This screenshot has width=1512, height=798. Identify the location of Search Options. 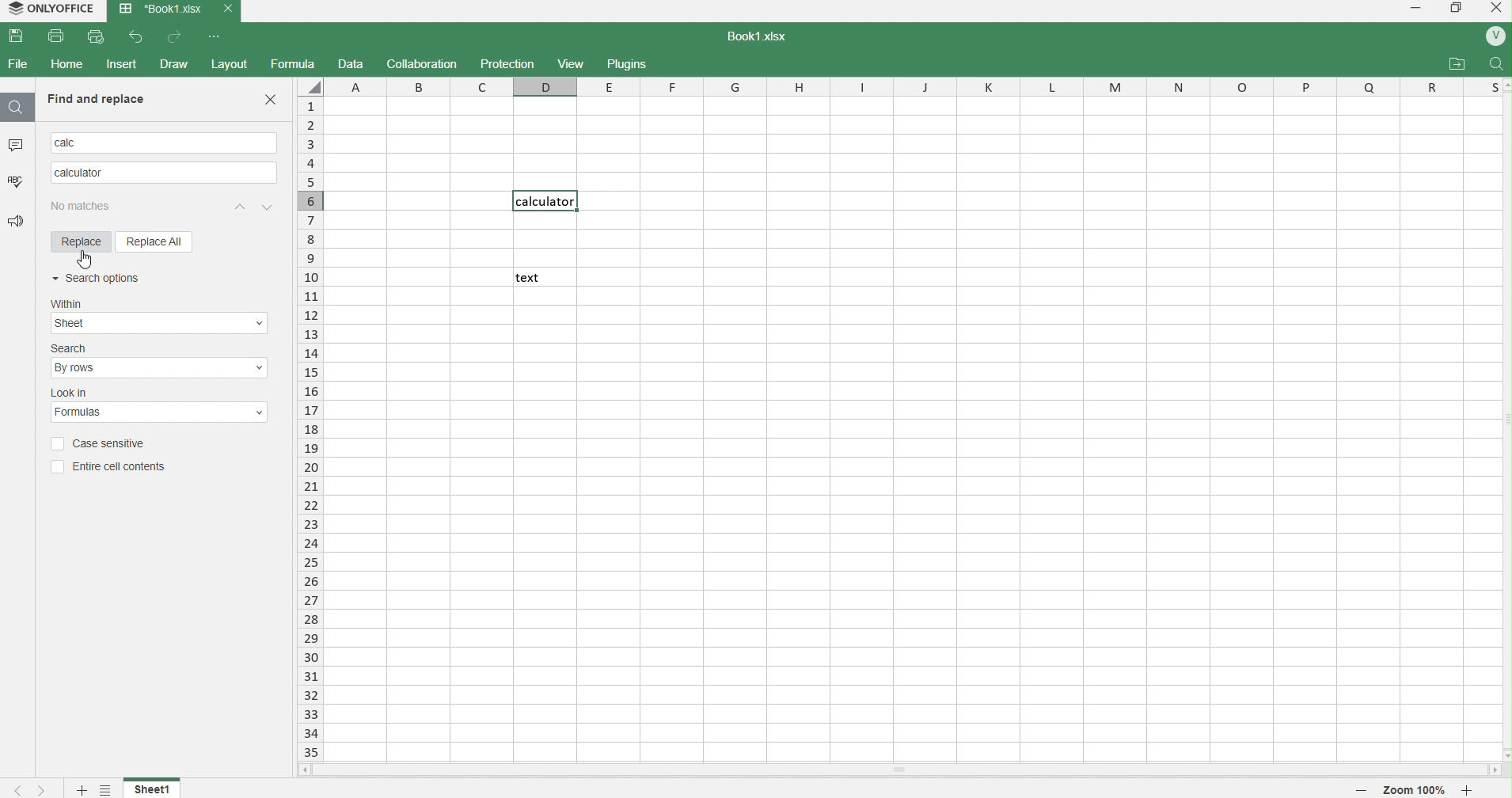
(111, 278).